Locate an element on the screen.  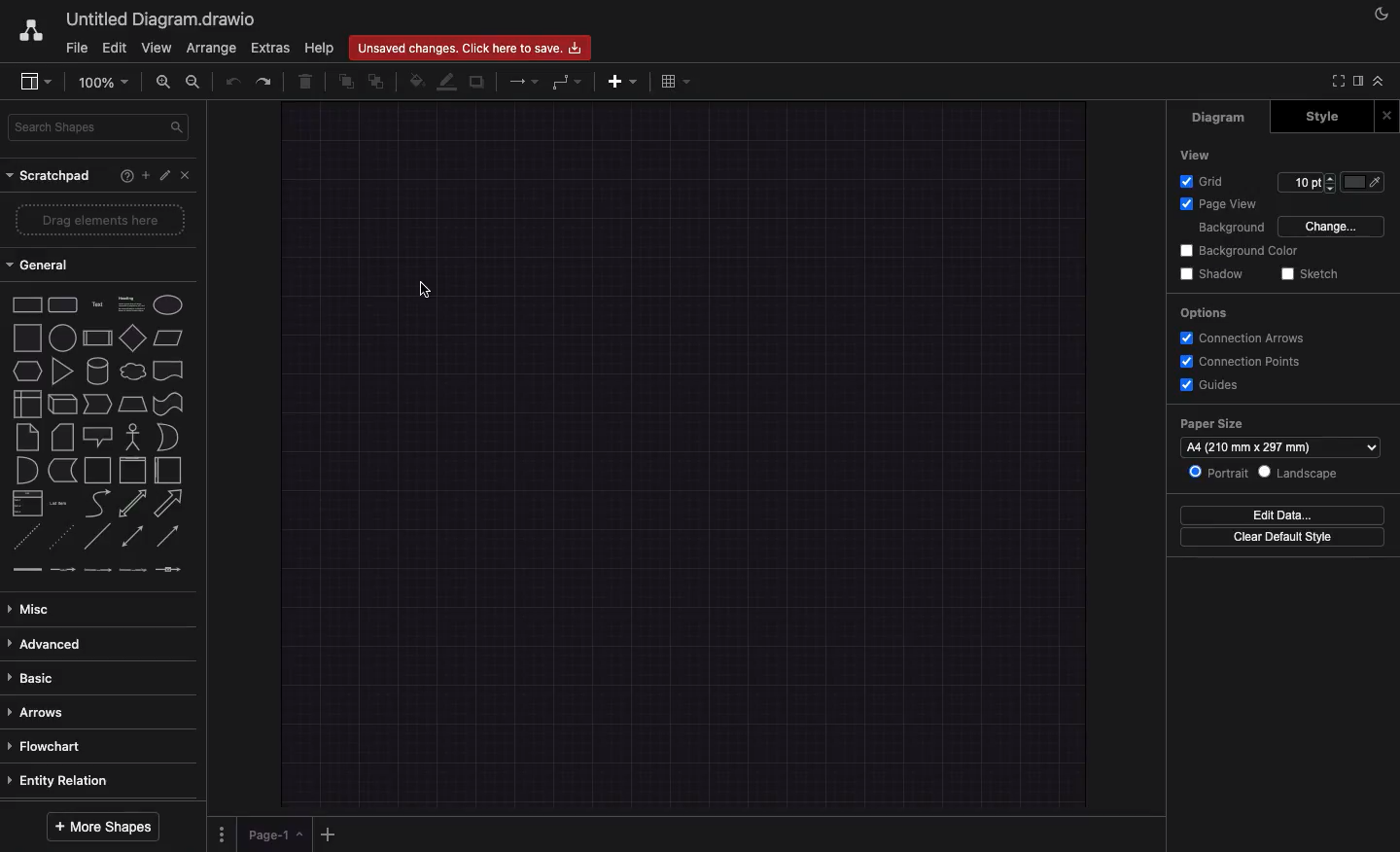
Trash is located at coordinates (303, 79).